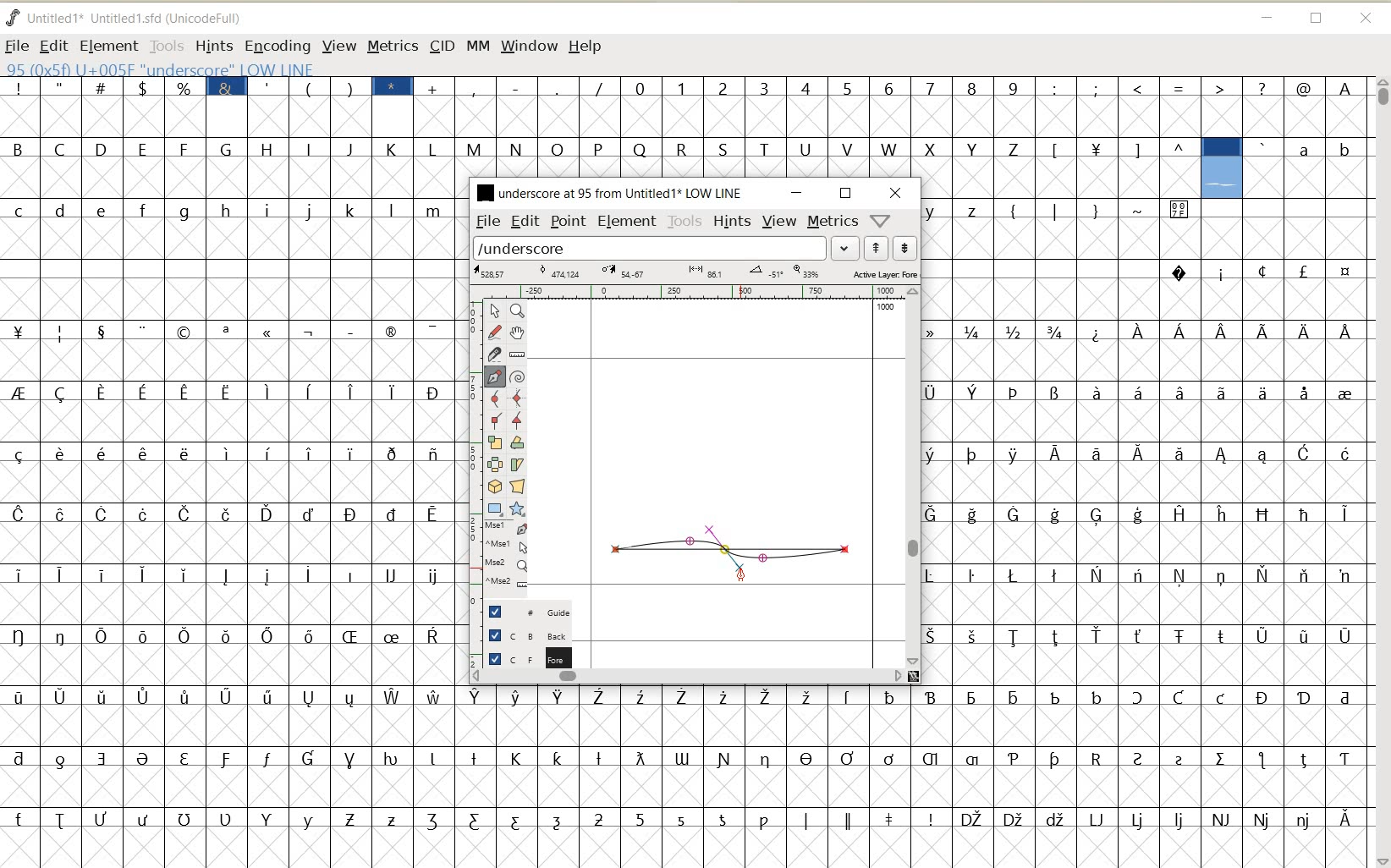  What do you see at coordinates (685, 222) in the screenshot?
I see `TOOLS` at bounding box center [685, 222].